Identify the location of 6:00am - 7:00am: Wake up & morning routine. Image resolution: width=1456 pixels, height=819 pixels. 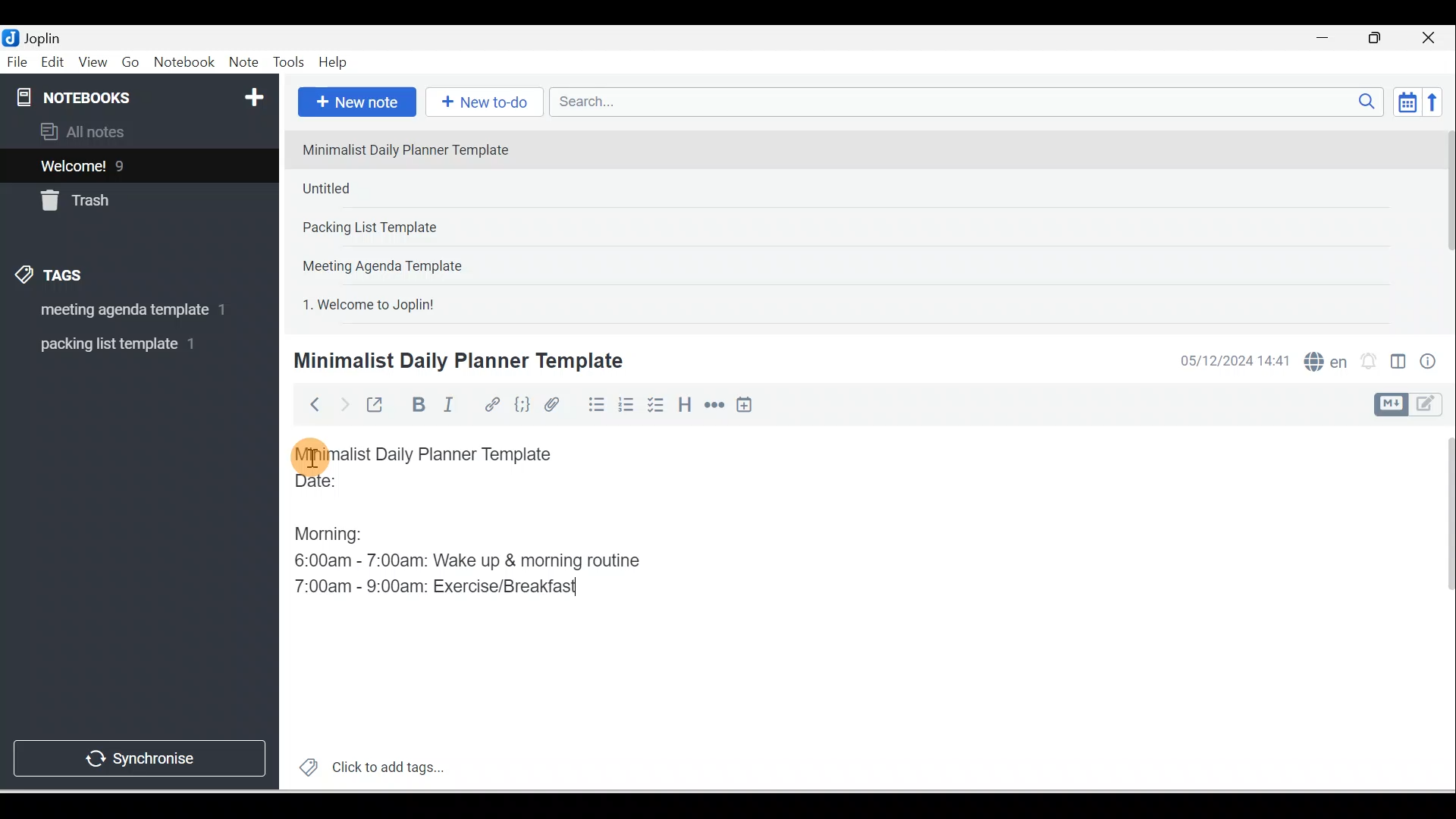
(472, 560).